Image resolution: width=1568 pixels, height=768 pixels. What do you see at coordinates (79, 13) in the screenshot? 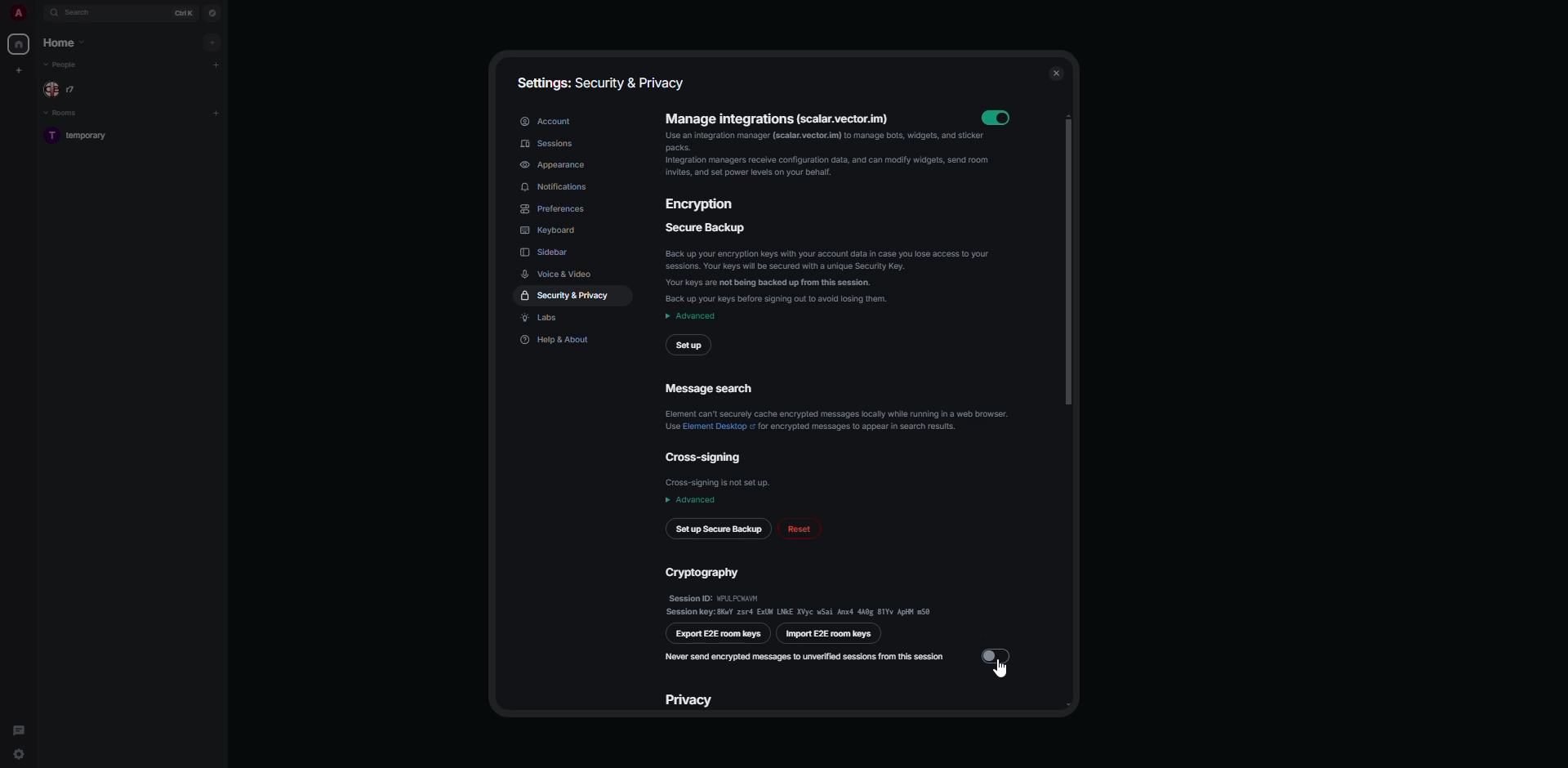
I see `search` at bounding box center [79, 13].